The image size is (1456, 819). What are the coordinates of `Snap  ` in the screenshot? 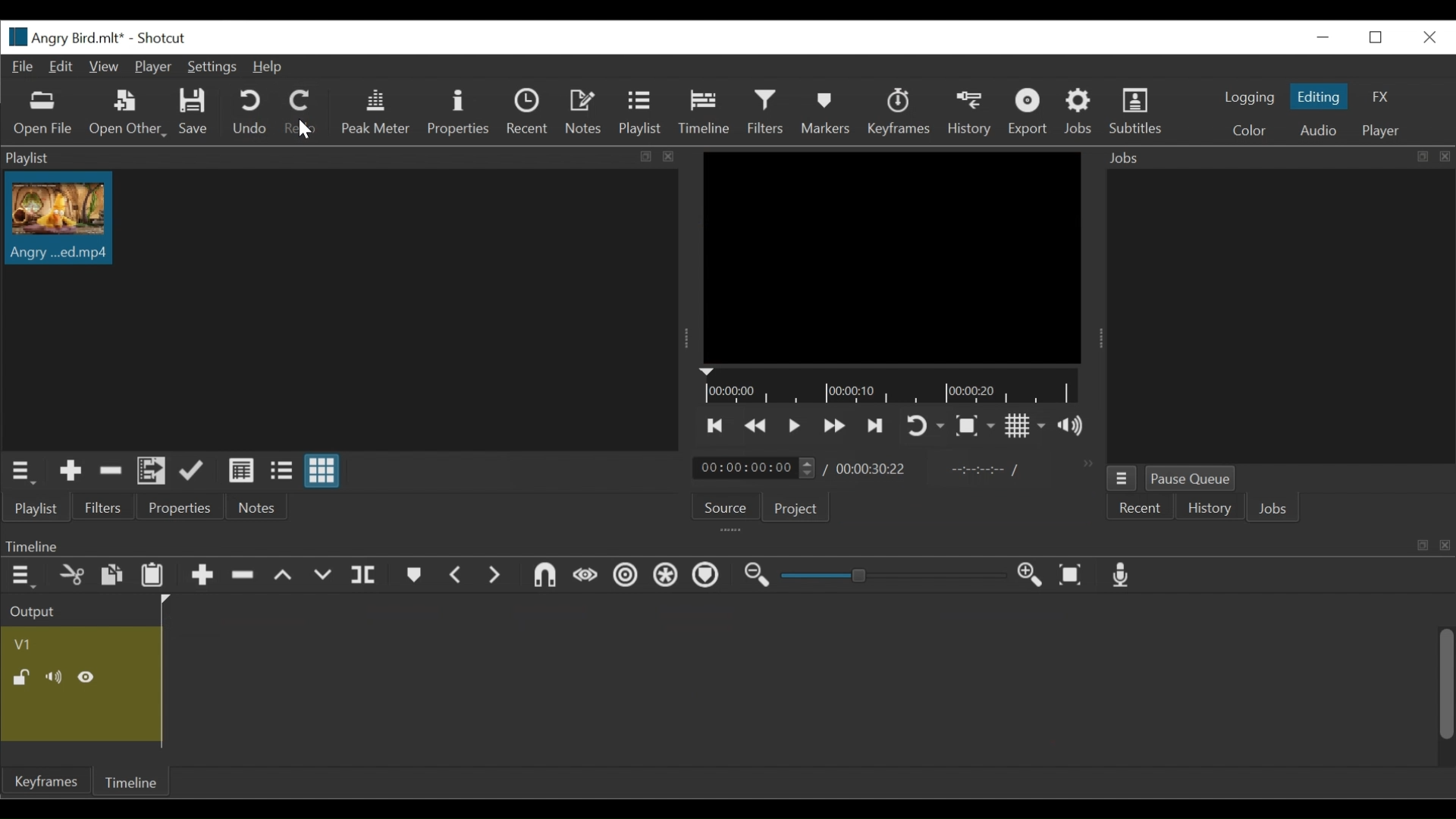 It's located at (544, 577).